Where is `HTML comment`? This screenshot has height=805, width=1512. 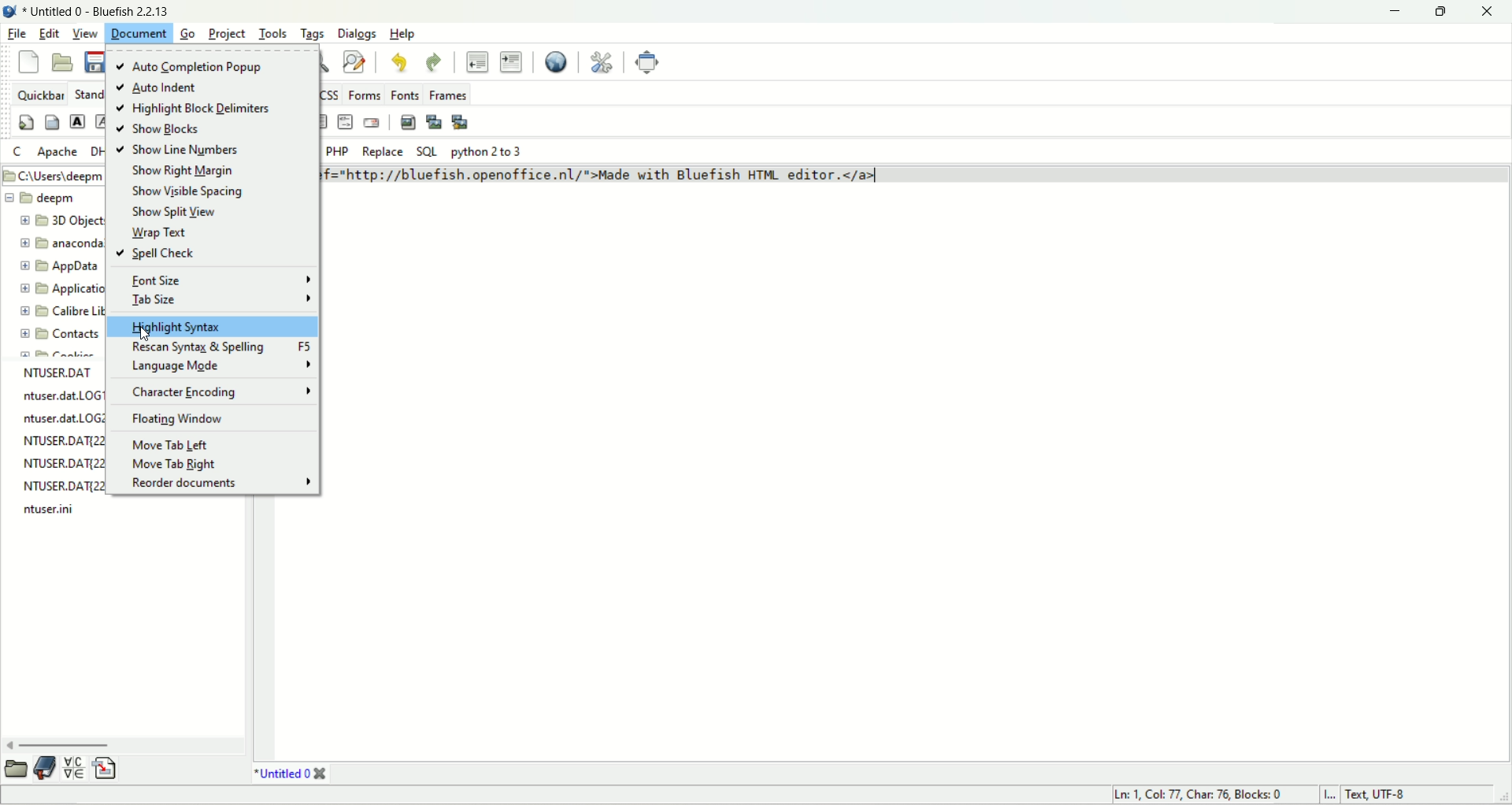 HTML comment is located at coordinates (344, 121).